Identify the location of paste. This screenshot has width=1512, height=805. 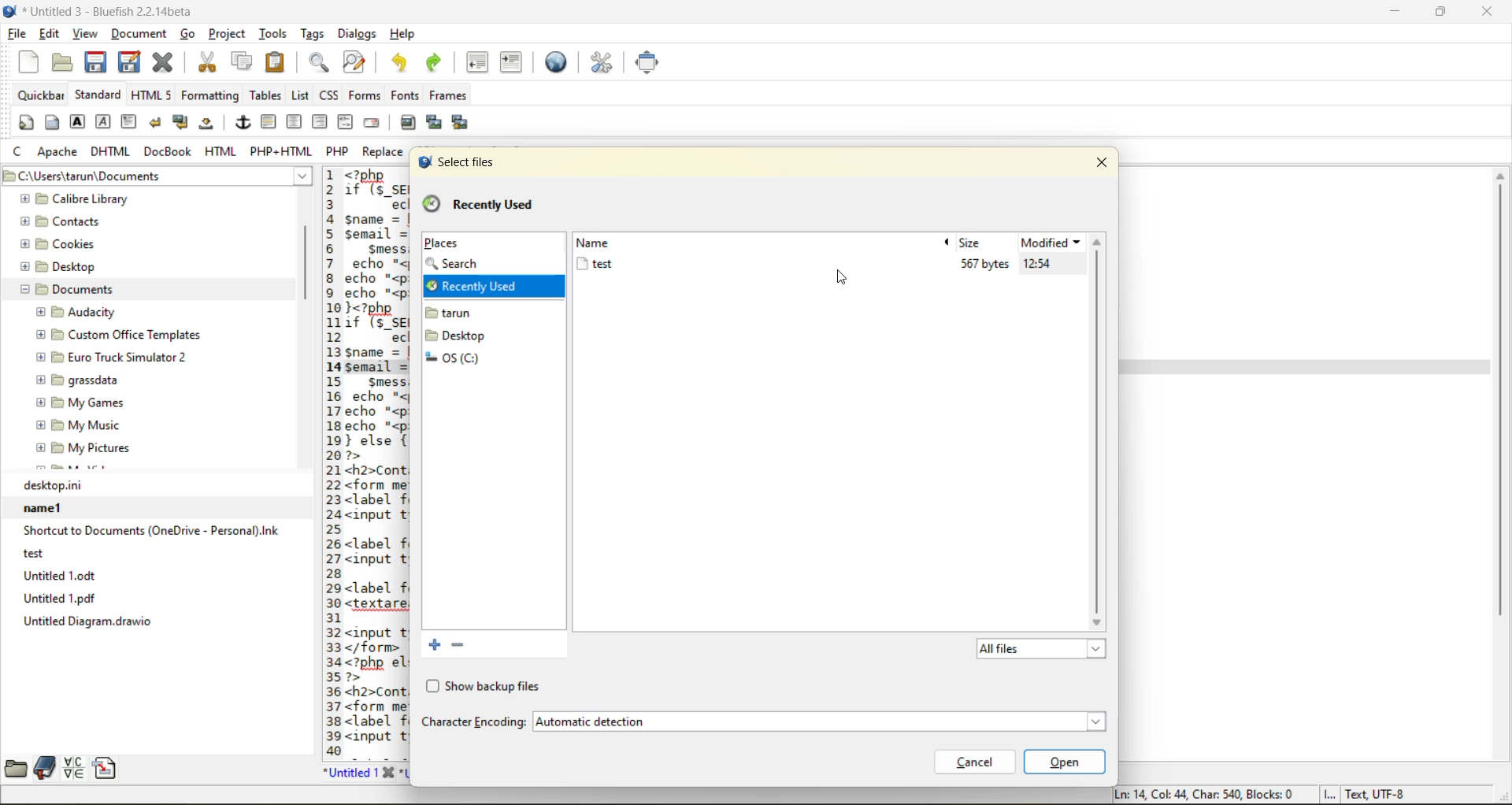
(274, 61).